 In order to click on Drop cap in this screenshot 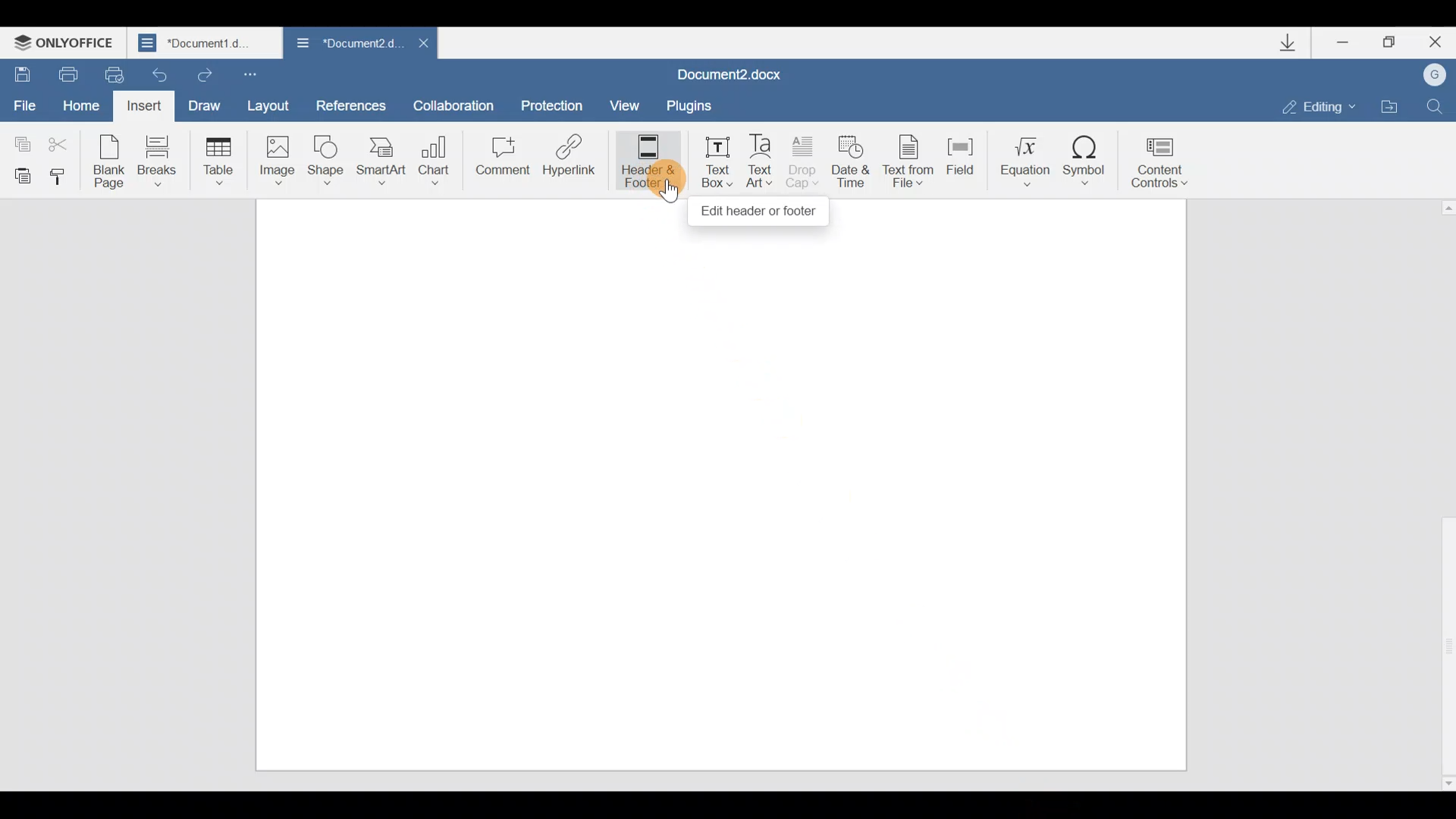, I will do `click(807, 161)`.